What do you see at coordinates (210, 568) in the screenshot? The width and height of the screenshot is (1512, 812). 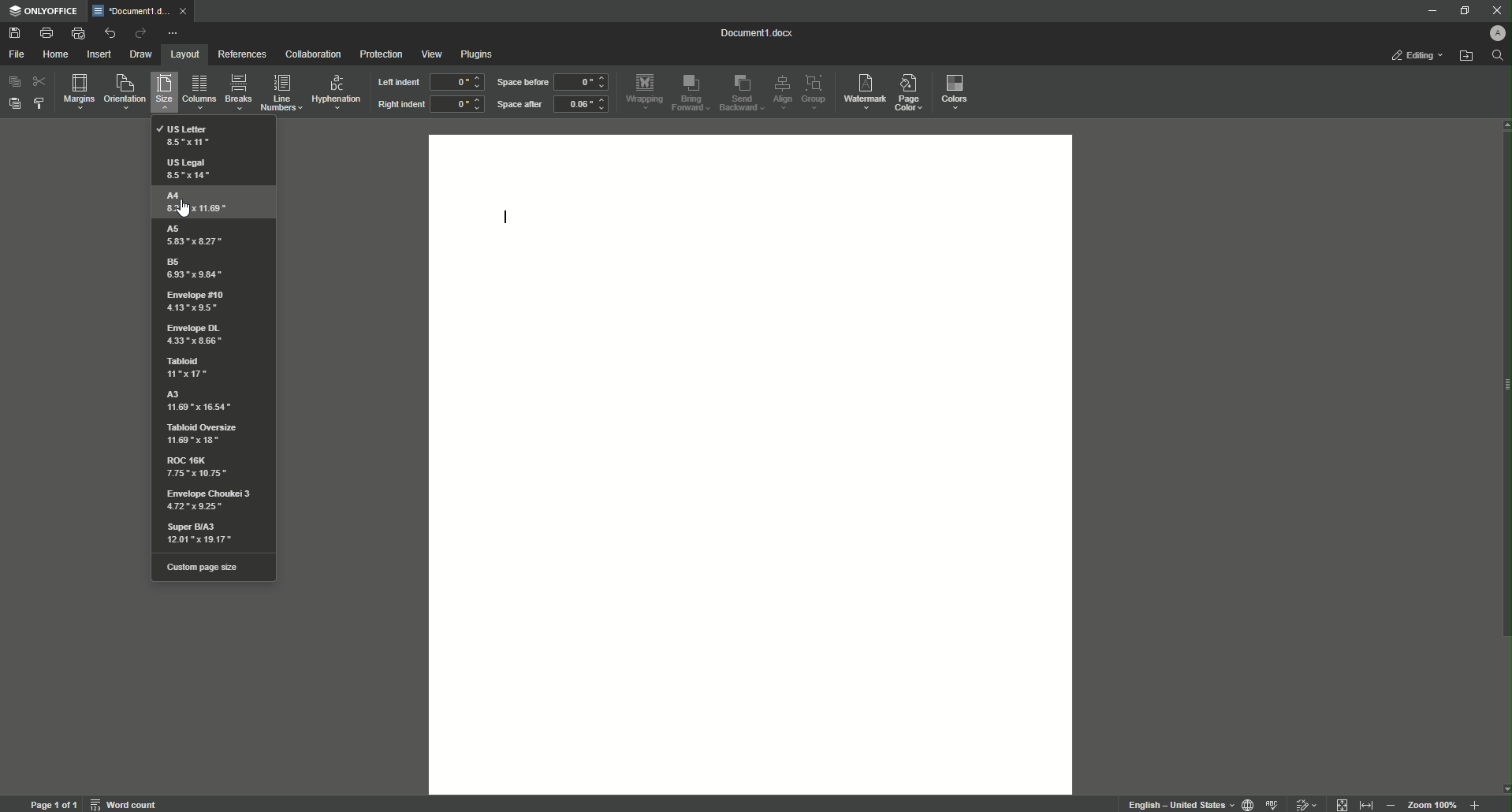 I see `Custom  Page Size` at bounding box center [210, 568].